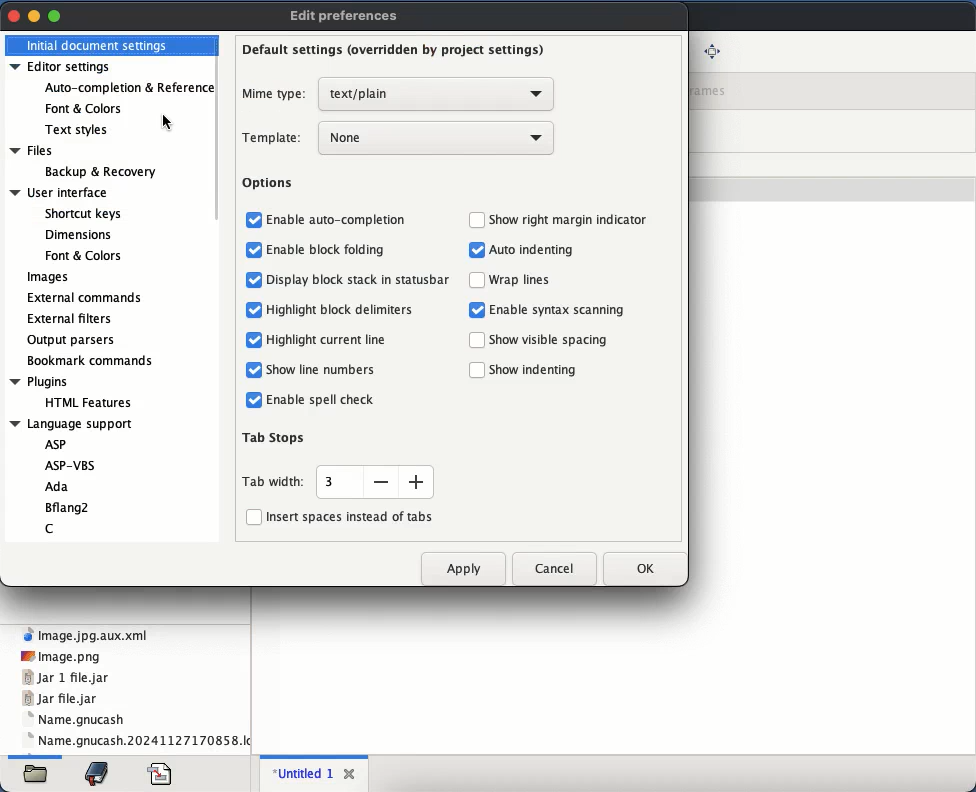 The image size is (976, 792). I want to click on tab stops, so click(274, 437).